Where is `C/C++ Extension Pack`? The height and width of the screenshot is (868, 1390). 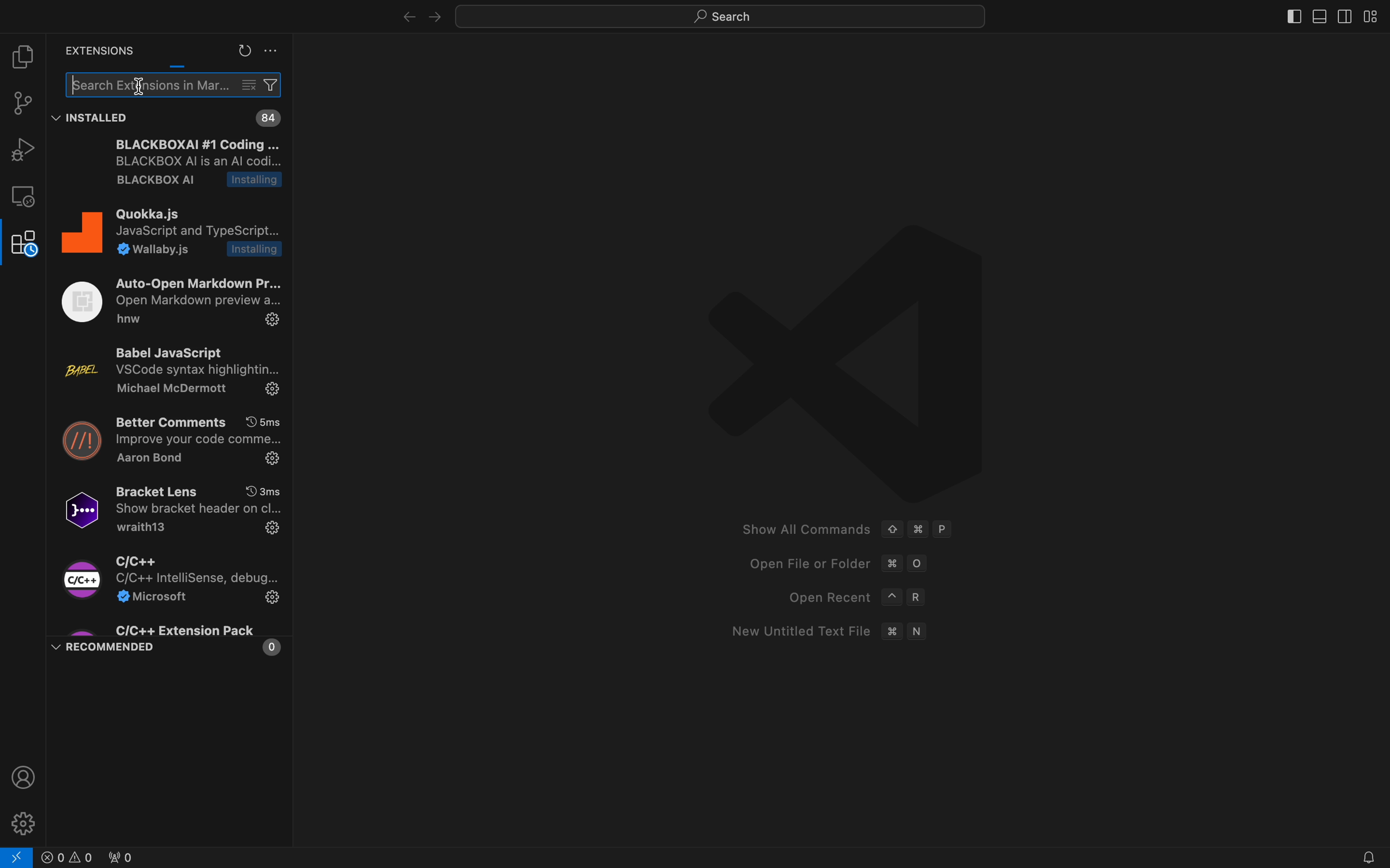
C/C++ Extension Pack is located at coordinates (166, 629).